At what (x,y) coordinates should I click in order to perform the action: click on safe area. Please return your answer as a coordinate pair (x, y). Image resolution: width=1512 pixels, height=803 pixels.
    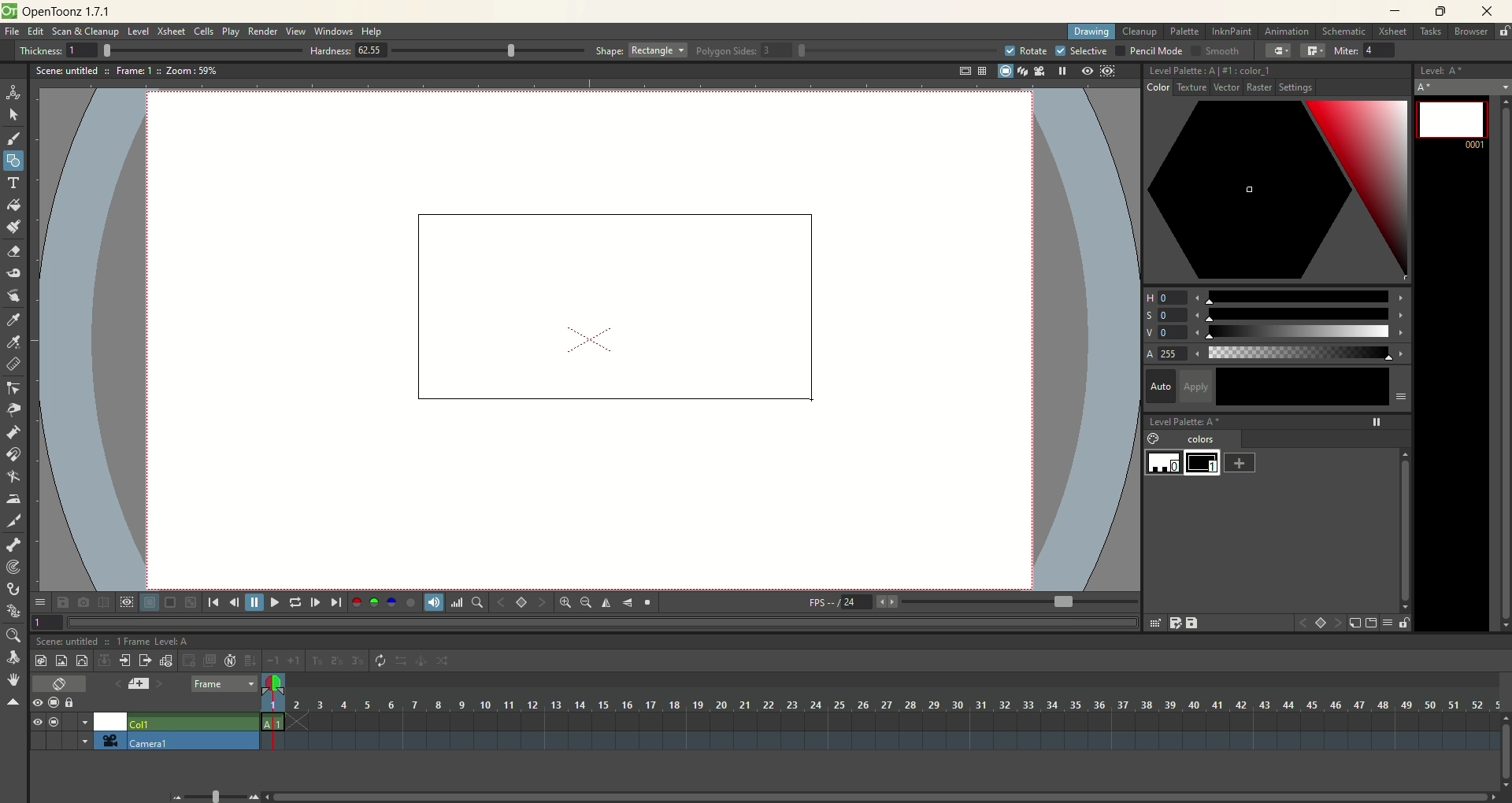
    Looking at the image, I should click on (963, 72).